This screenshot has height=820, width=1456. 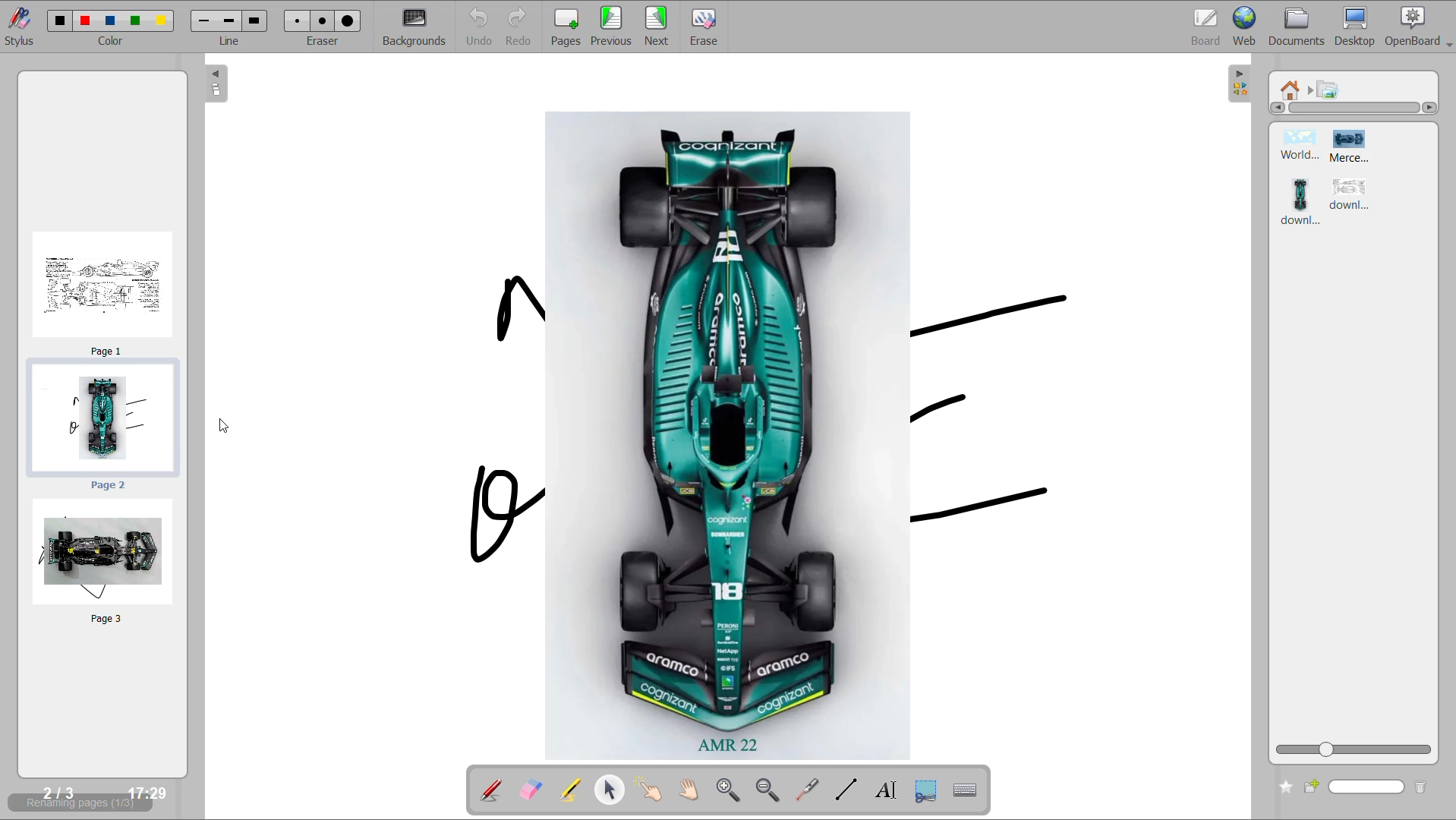 I want to click on virtual laser pointer, so click(x=807, y=789).